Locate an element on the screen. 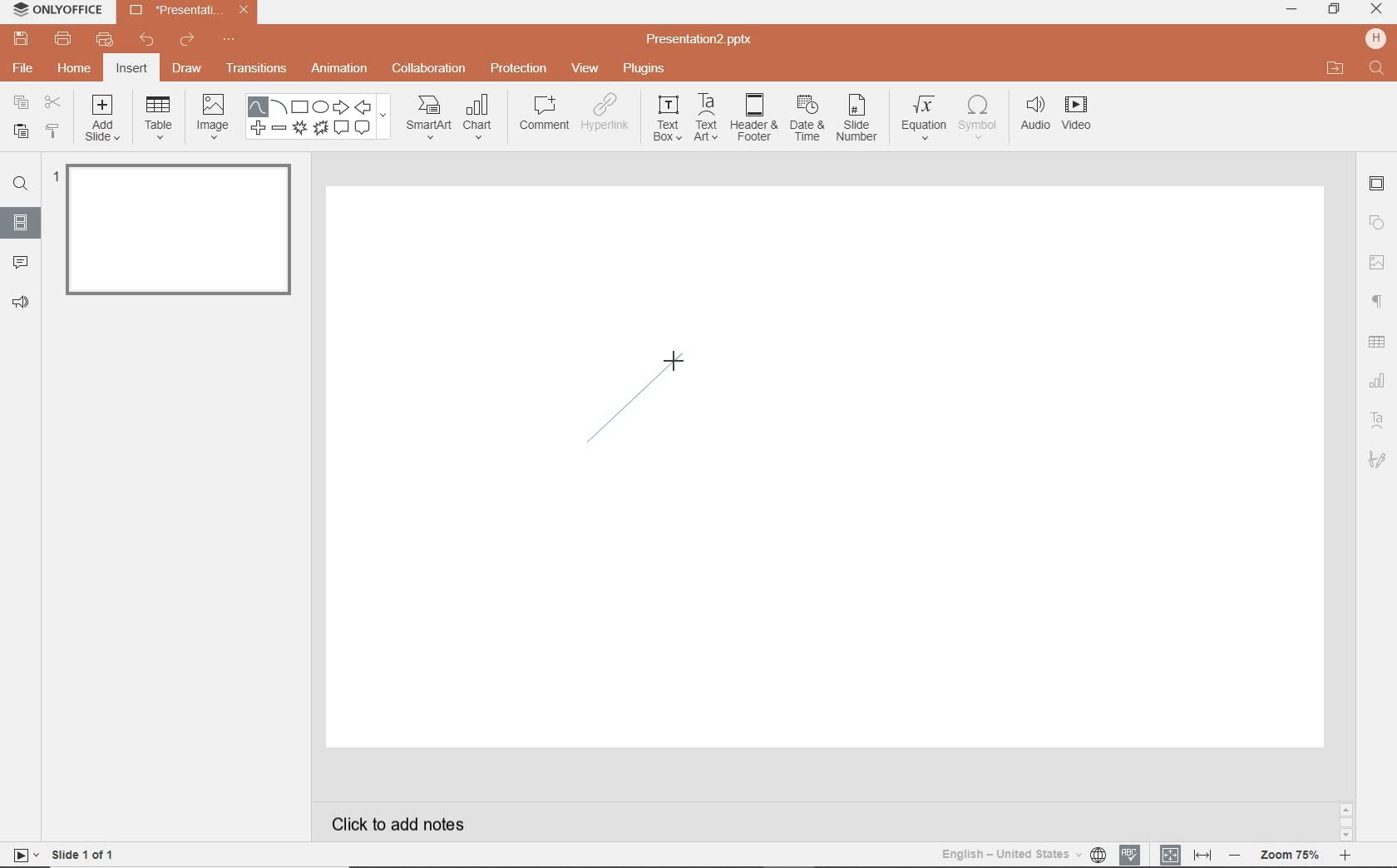 This screenshot has height=868, width=1397. FEEDBACK & SUPPORT is located at coordinates (20, 303).